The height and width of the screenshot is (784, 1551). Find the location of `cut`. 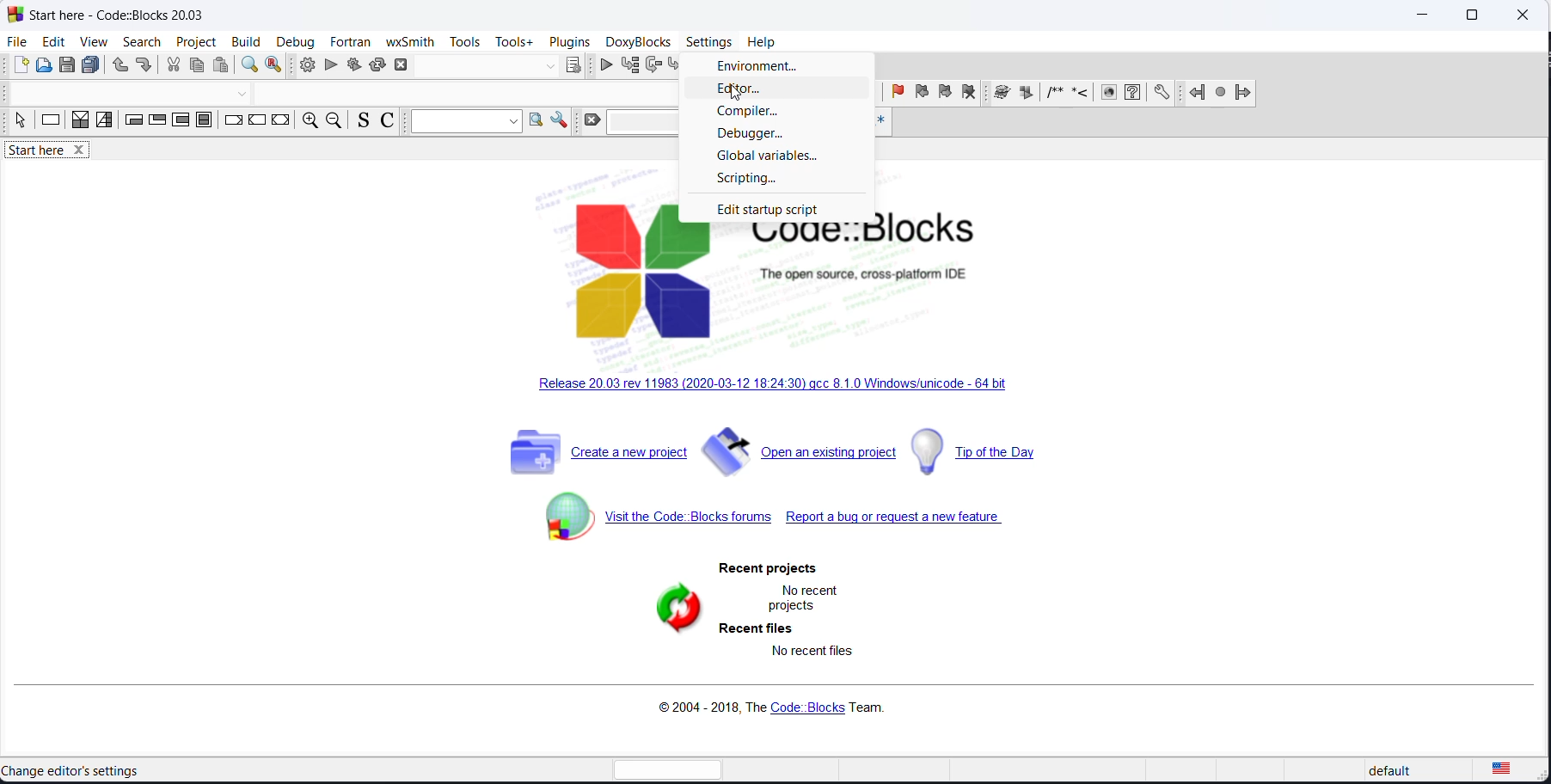

cut is located at coordinates (173, 67).